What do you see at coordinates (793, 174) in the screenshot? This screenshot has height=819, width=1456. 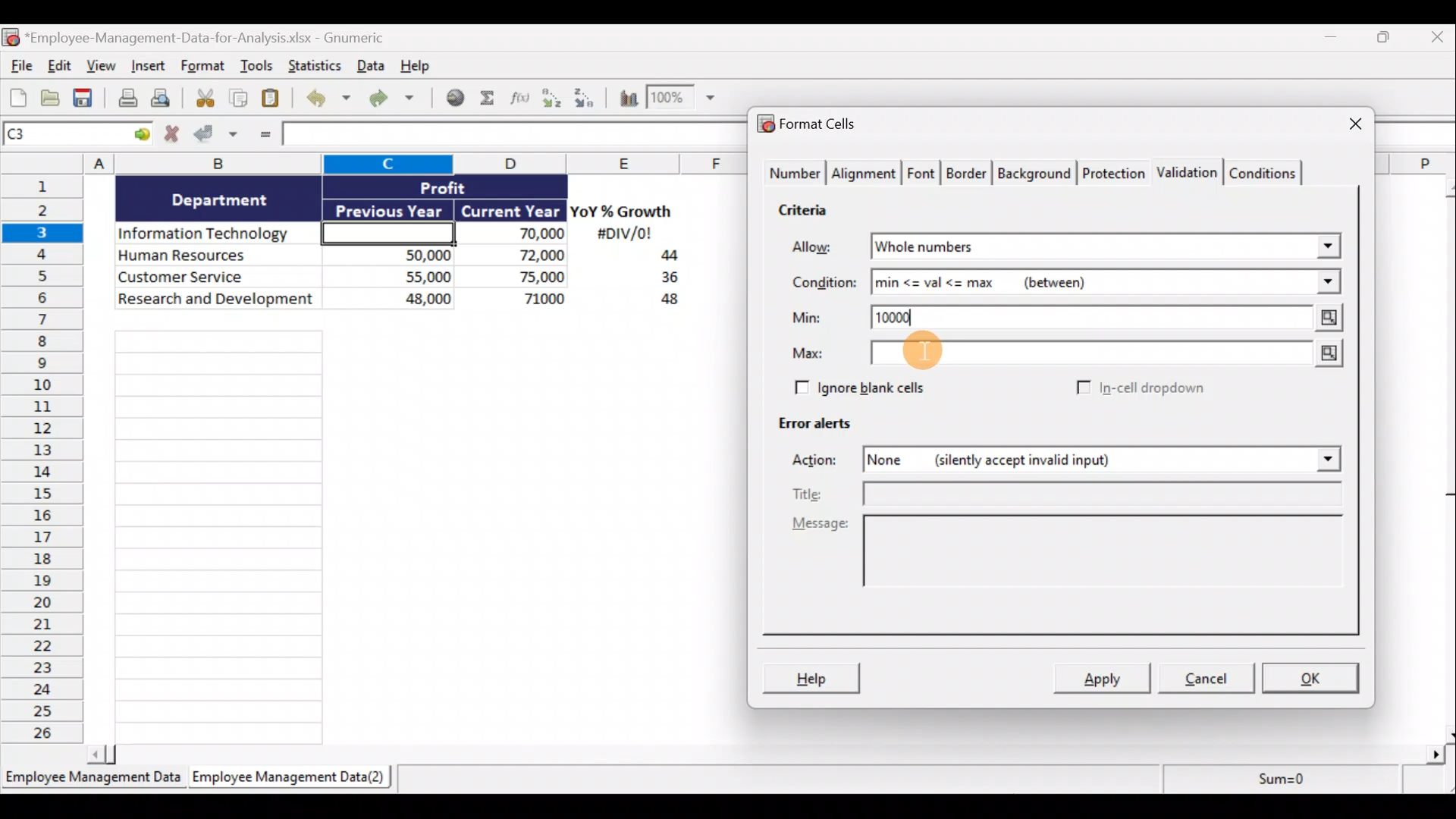 I see `Number` at bounding box center [793, 174].